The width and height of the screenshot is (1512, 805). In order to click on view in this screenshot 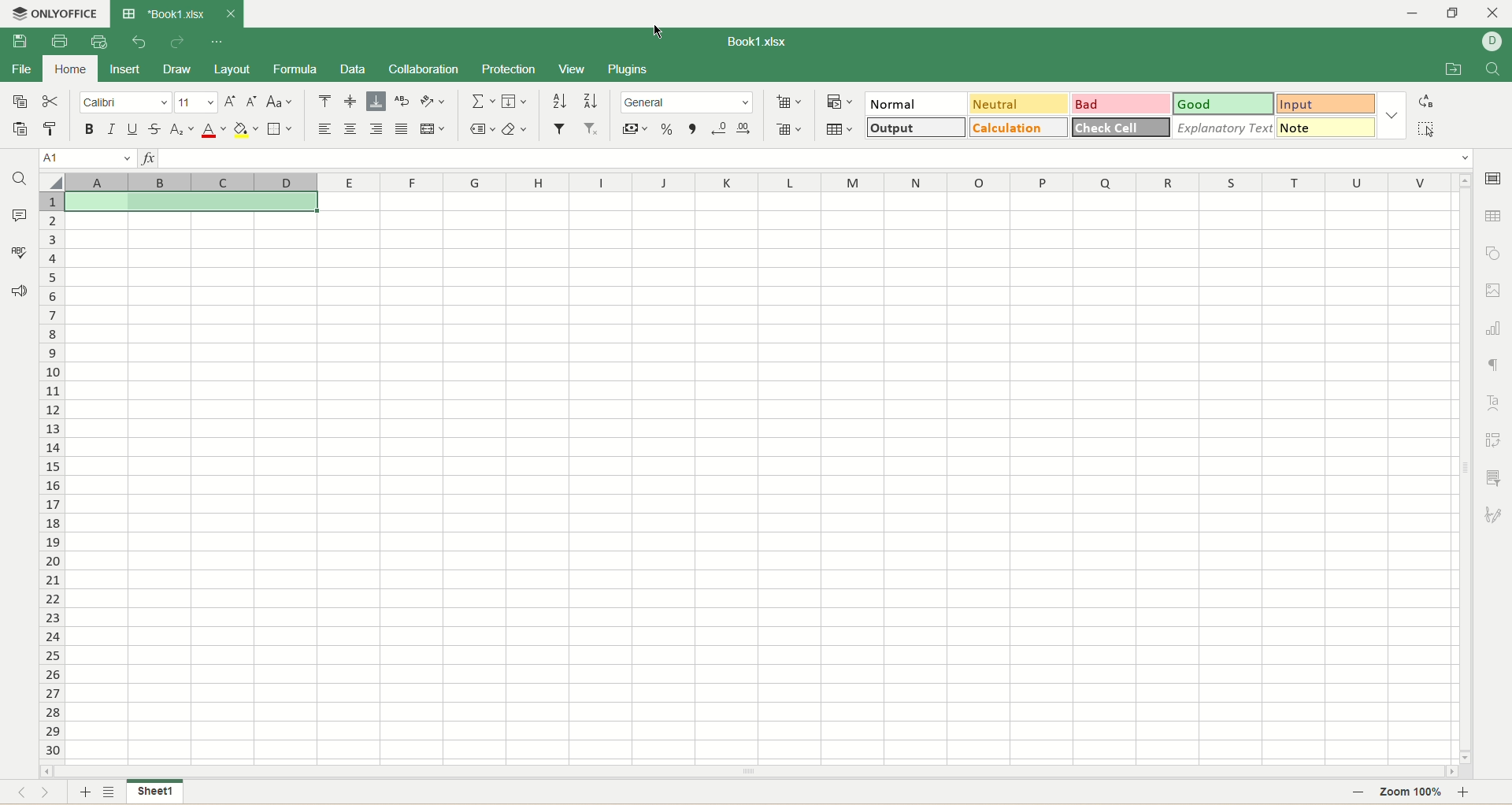, I will do `click(573, 69)`.